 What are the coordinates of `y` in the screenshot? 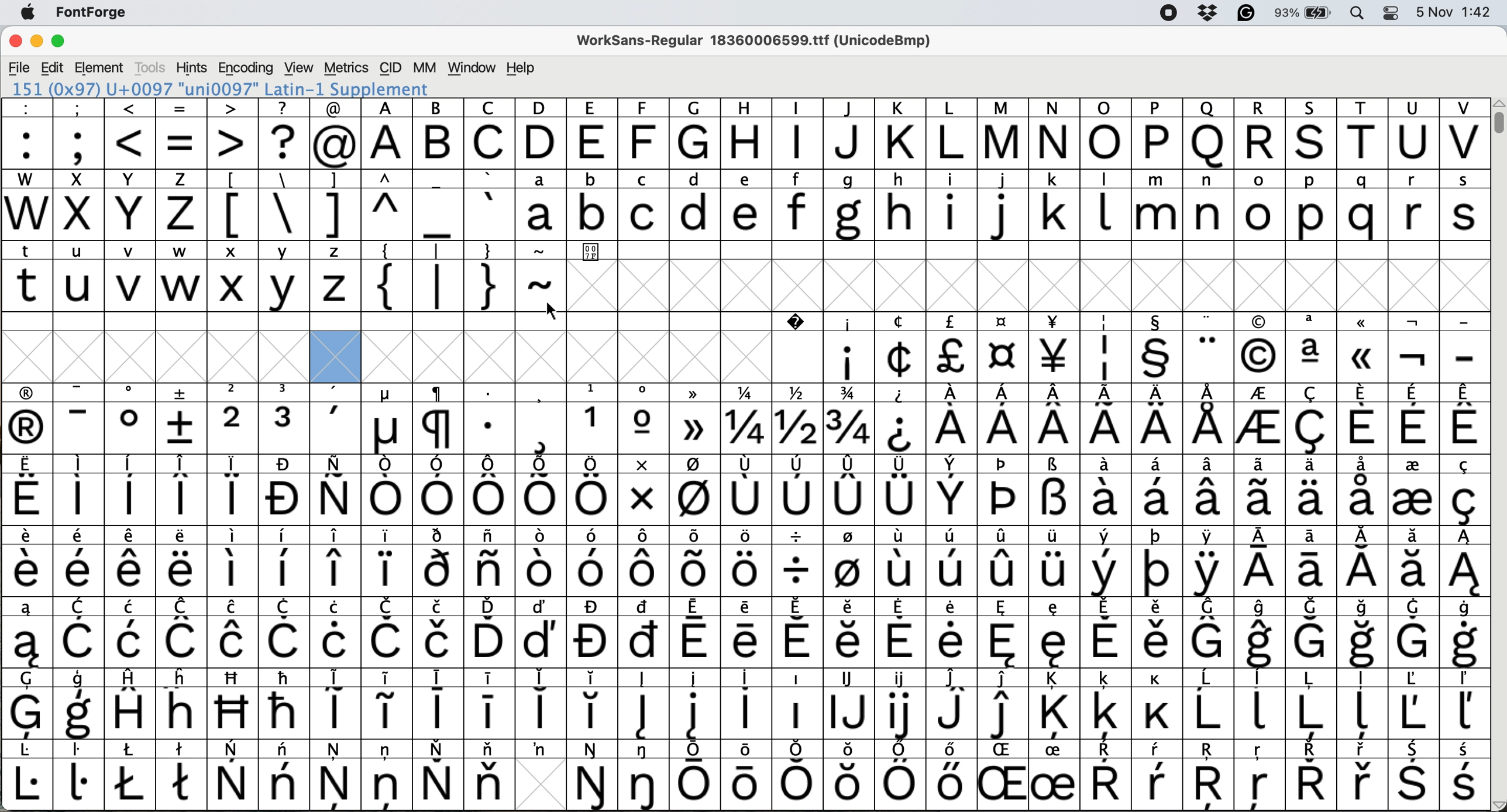 It's located at (282, 277).